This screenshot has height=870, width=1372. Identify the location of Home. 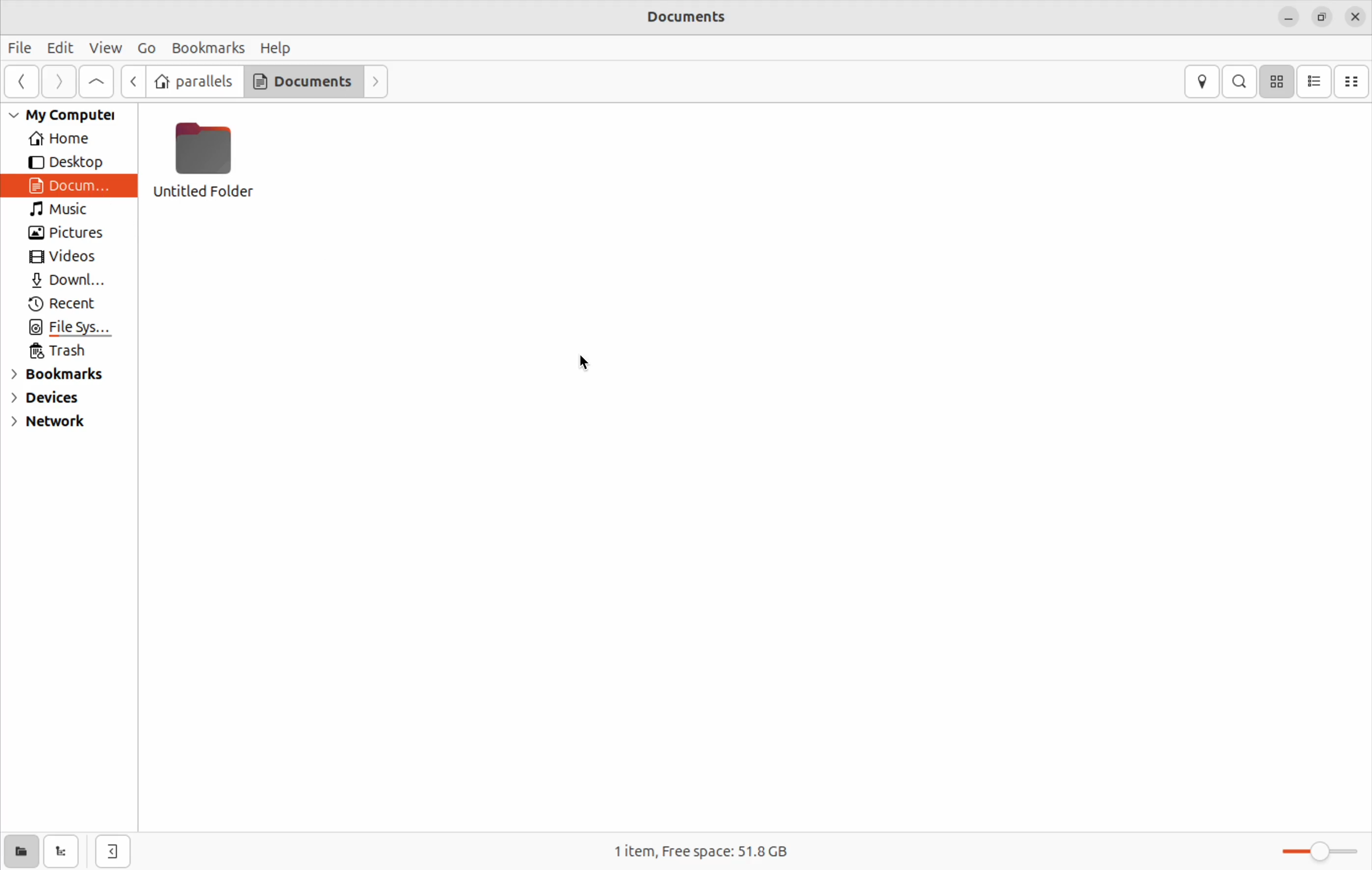
(67, 139).